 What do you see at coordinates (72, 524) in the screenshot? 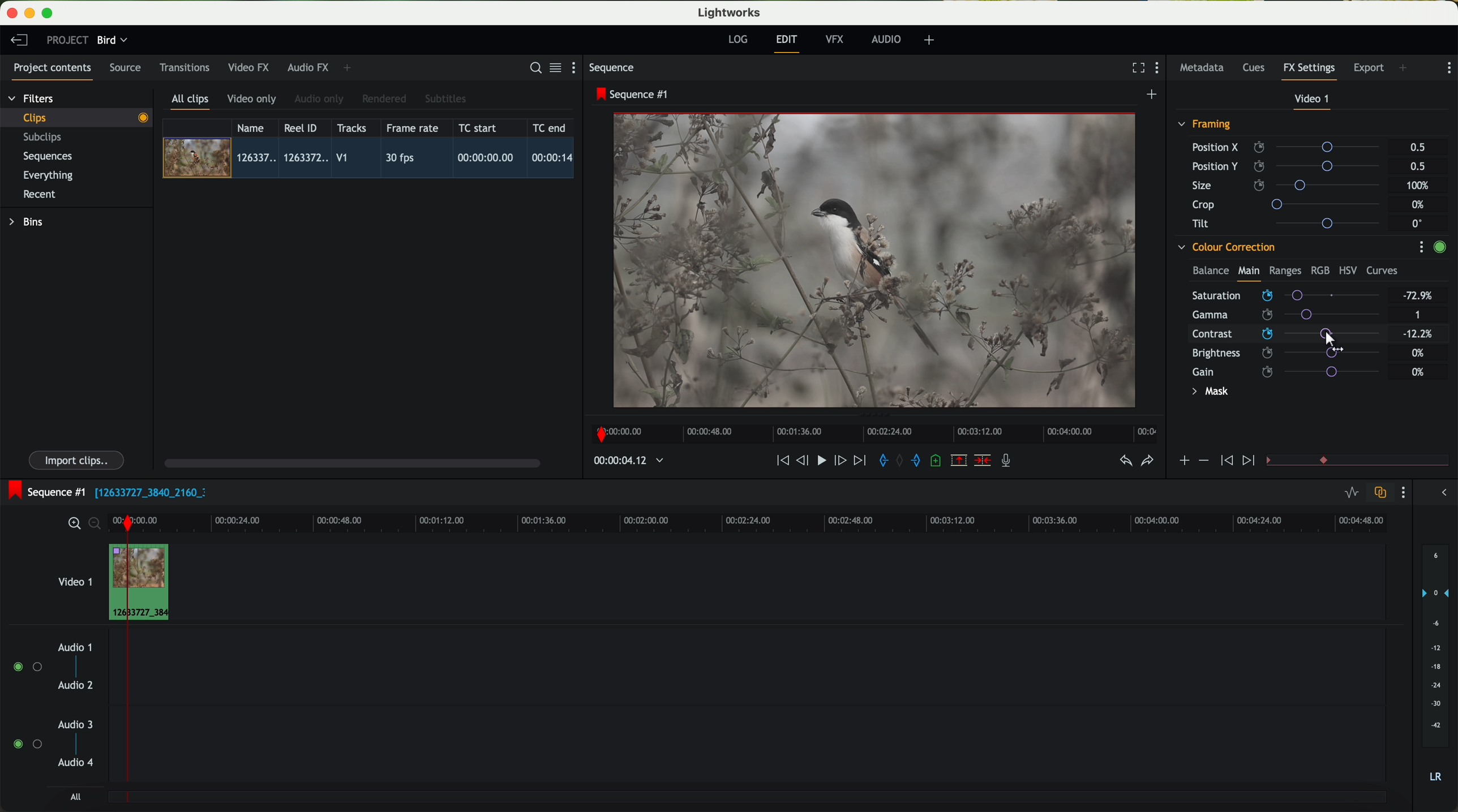
I see `zoom in` at bounding box center [72, 524].